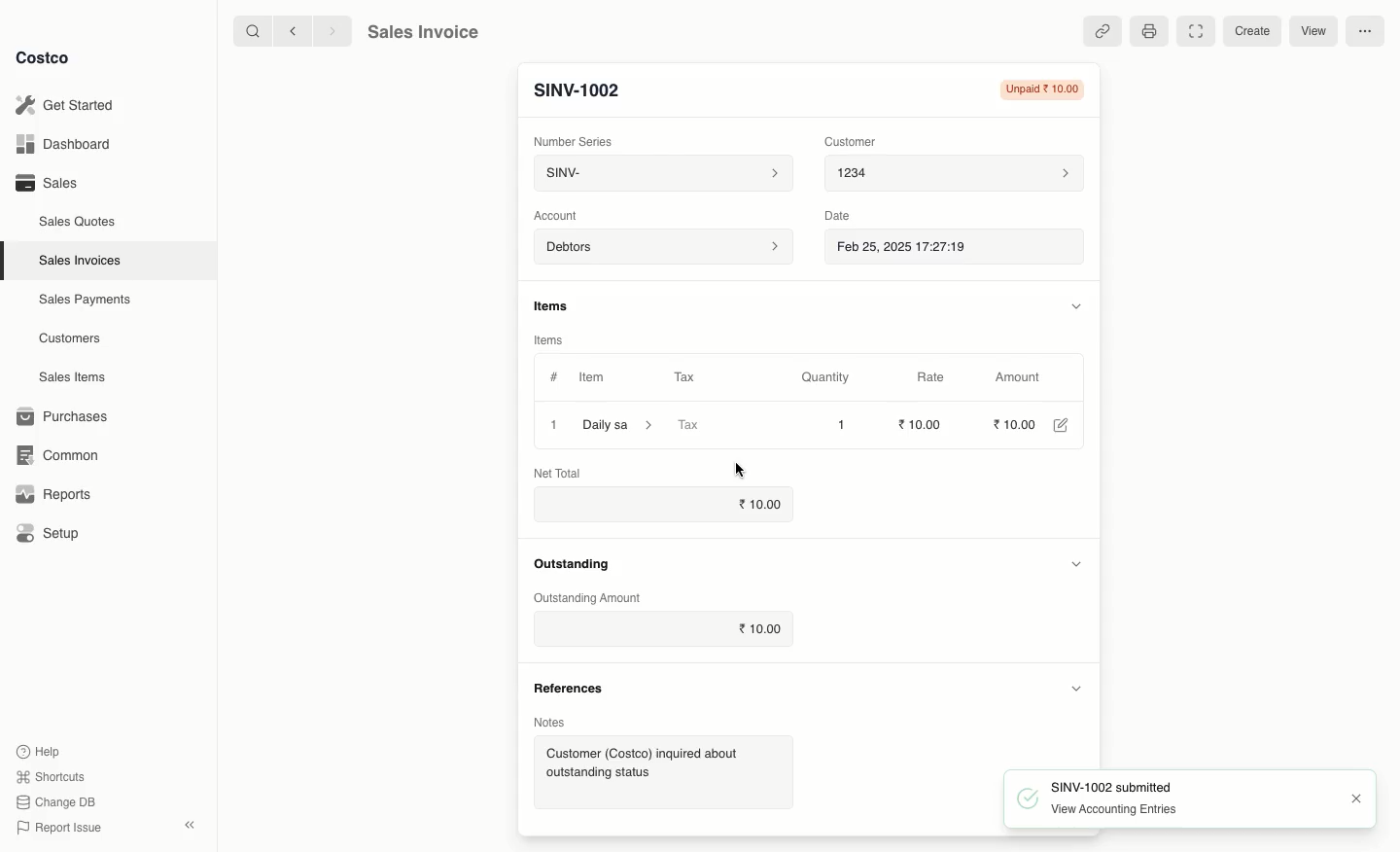  I want to click on Collapse, so click(189, 825).